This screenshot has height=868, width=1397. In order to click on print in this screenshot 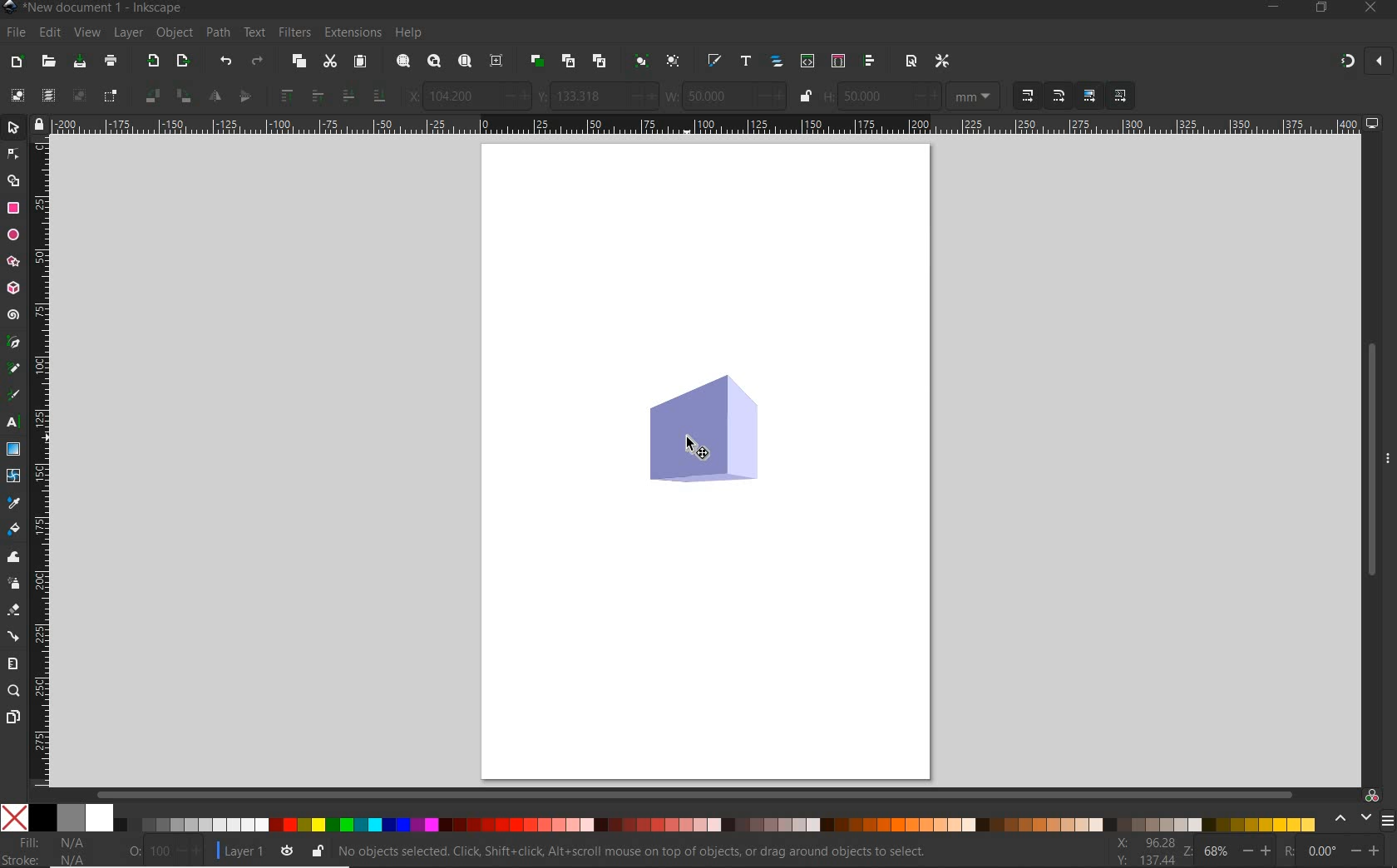, I will do `click(111, 62)`.